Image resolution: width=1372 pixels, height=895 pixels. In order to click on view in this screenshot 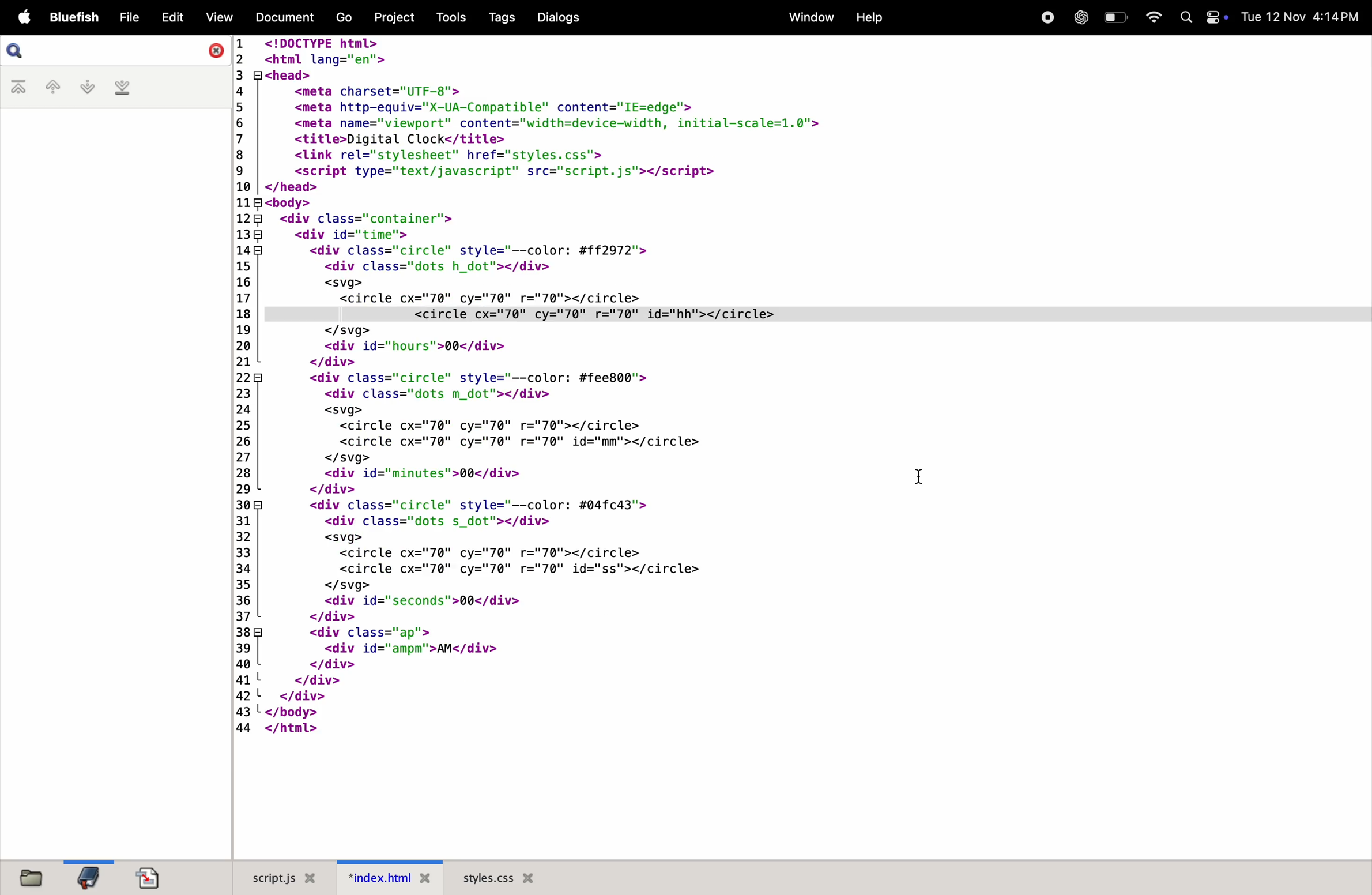, I will do `click(214, 17)`.